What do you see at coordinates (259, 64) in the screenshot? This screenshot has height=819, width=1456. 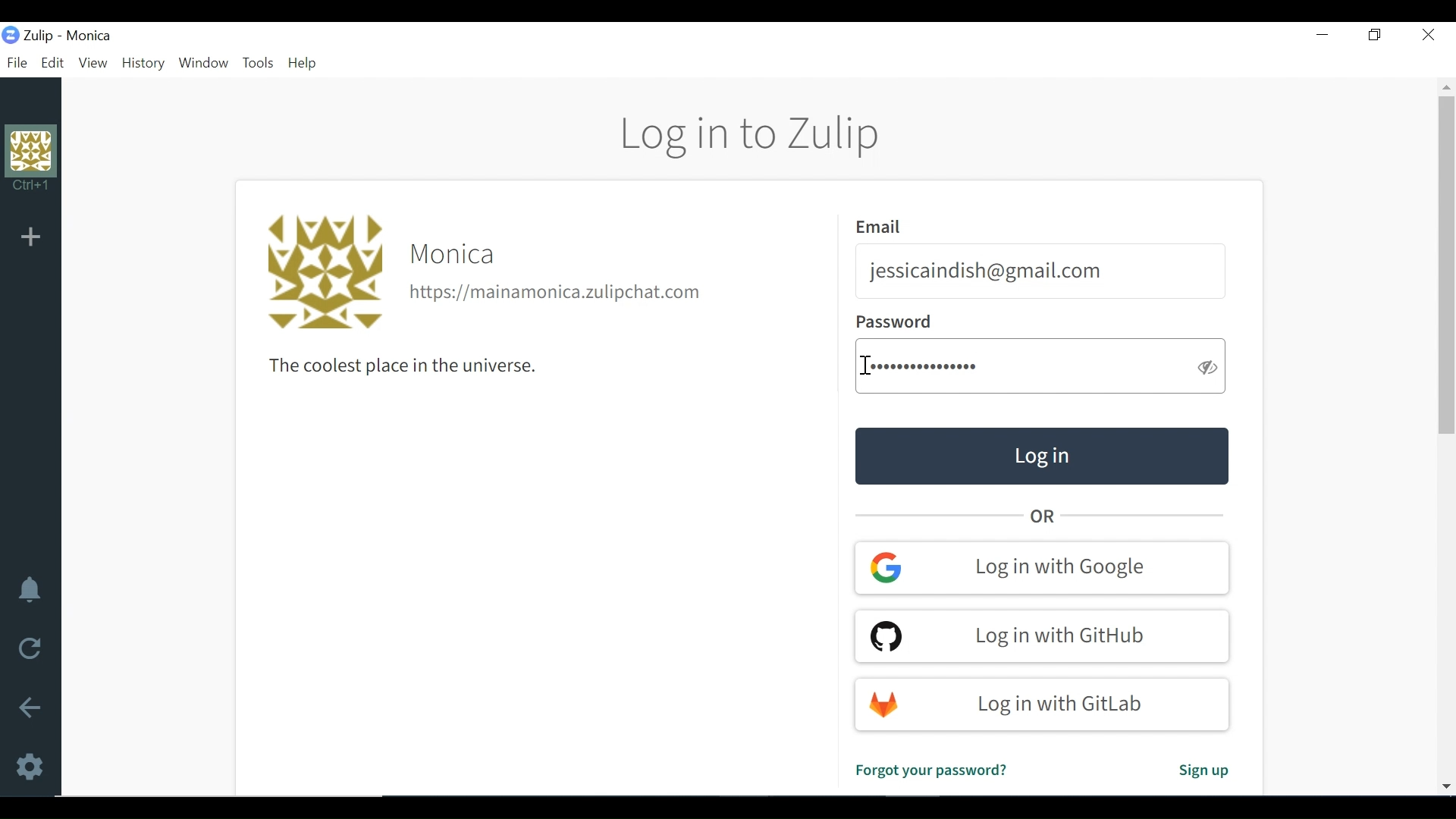 I see `Tools` at bounding box center [259, 64].